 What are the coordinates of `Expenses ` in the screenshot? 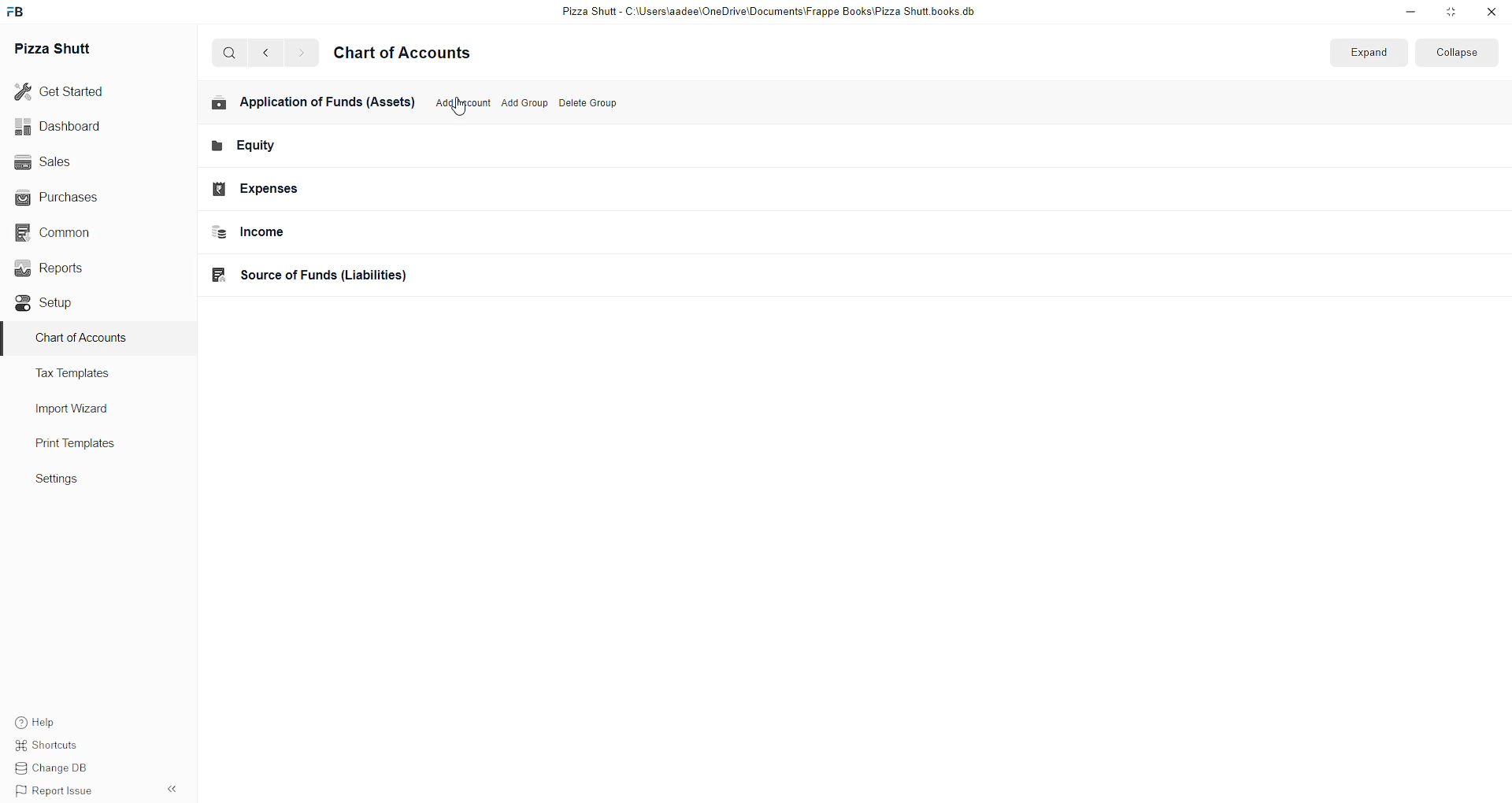 It's located at (317, 187).